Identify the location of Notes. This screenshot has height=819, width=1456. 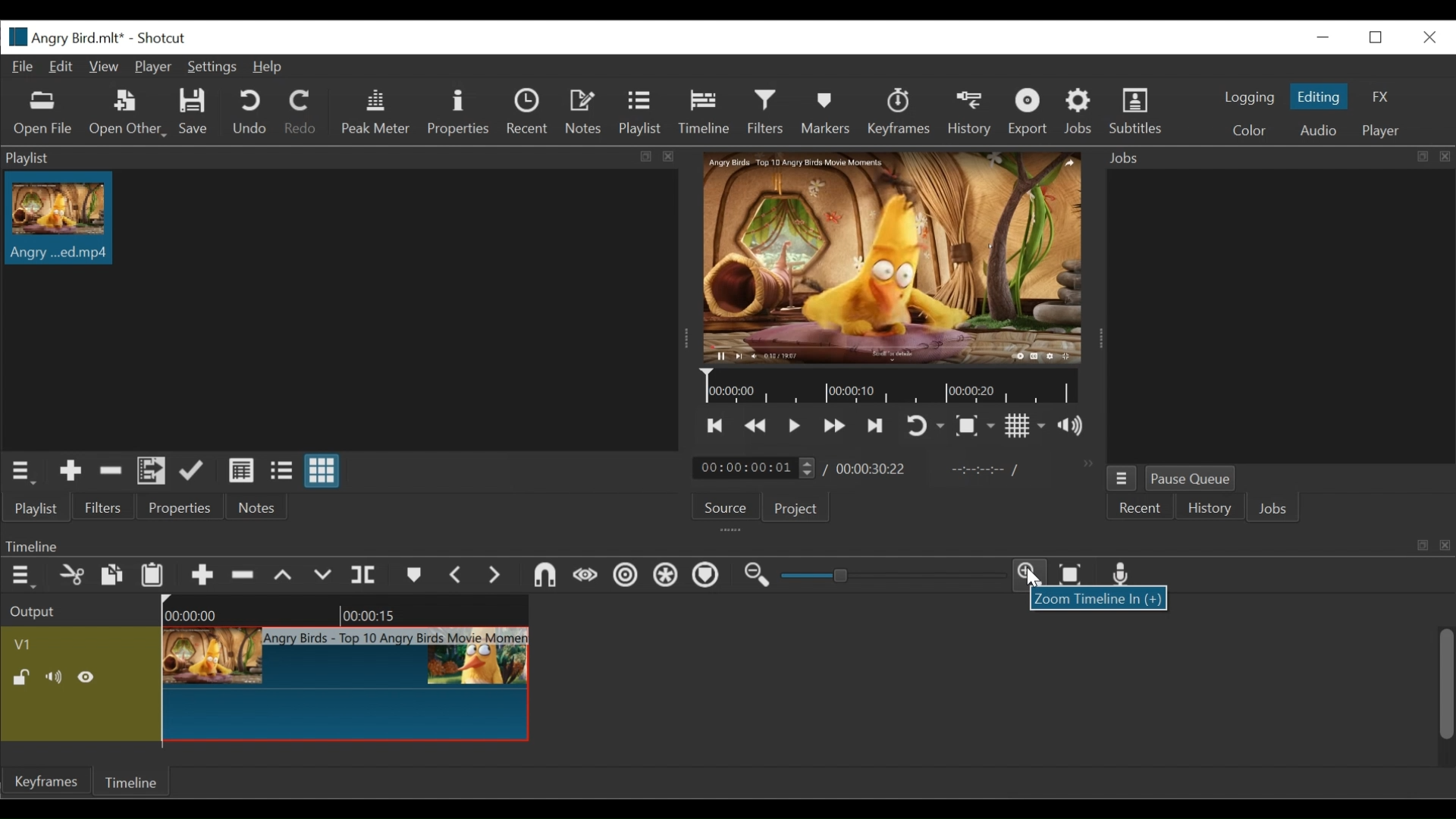
(254, 509).